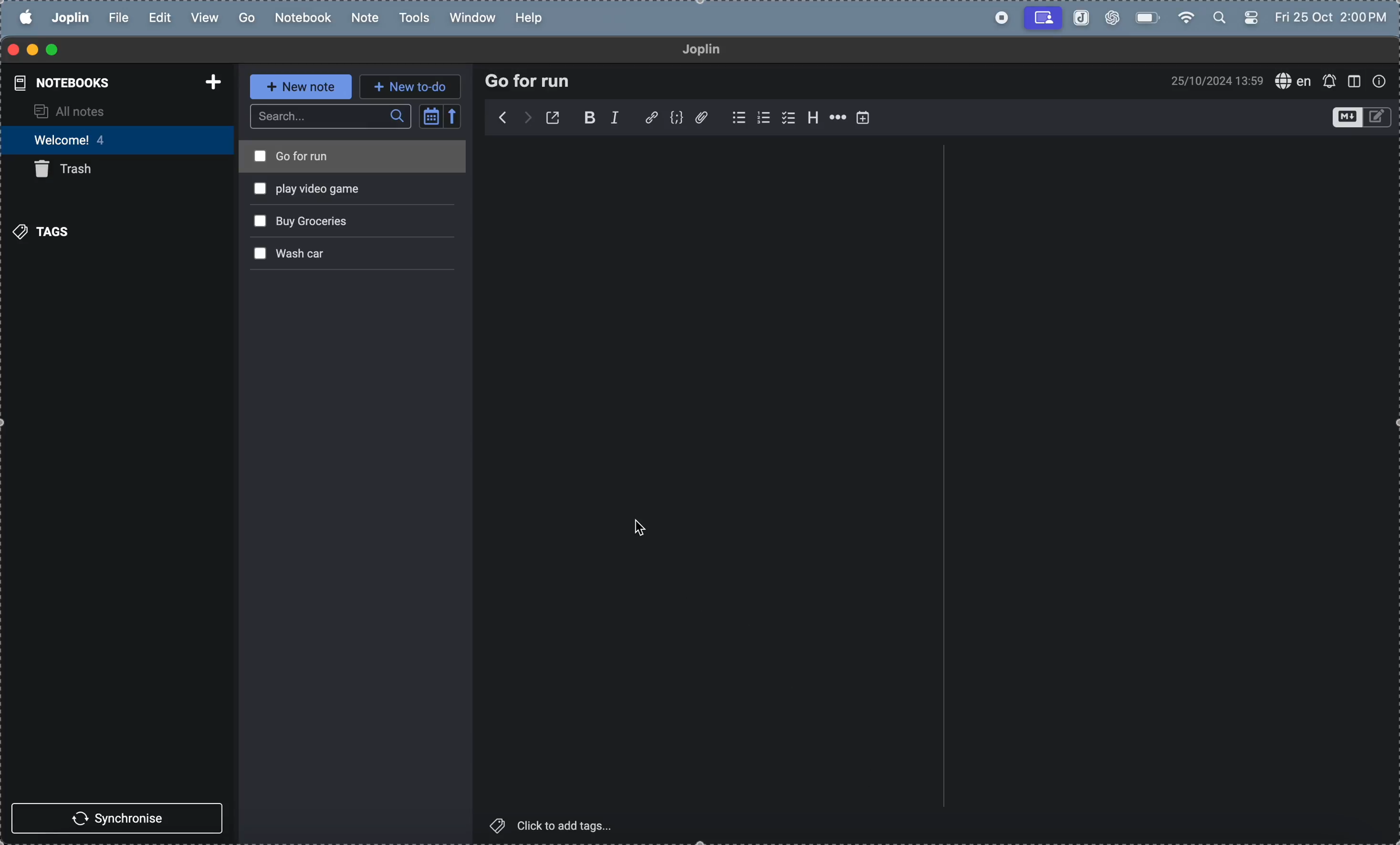 The height and width of the screenshot is (845, 1400). I want to click on joplin opened, so click(1078, 18).